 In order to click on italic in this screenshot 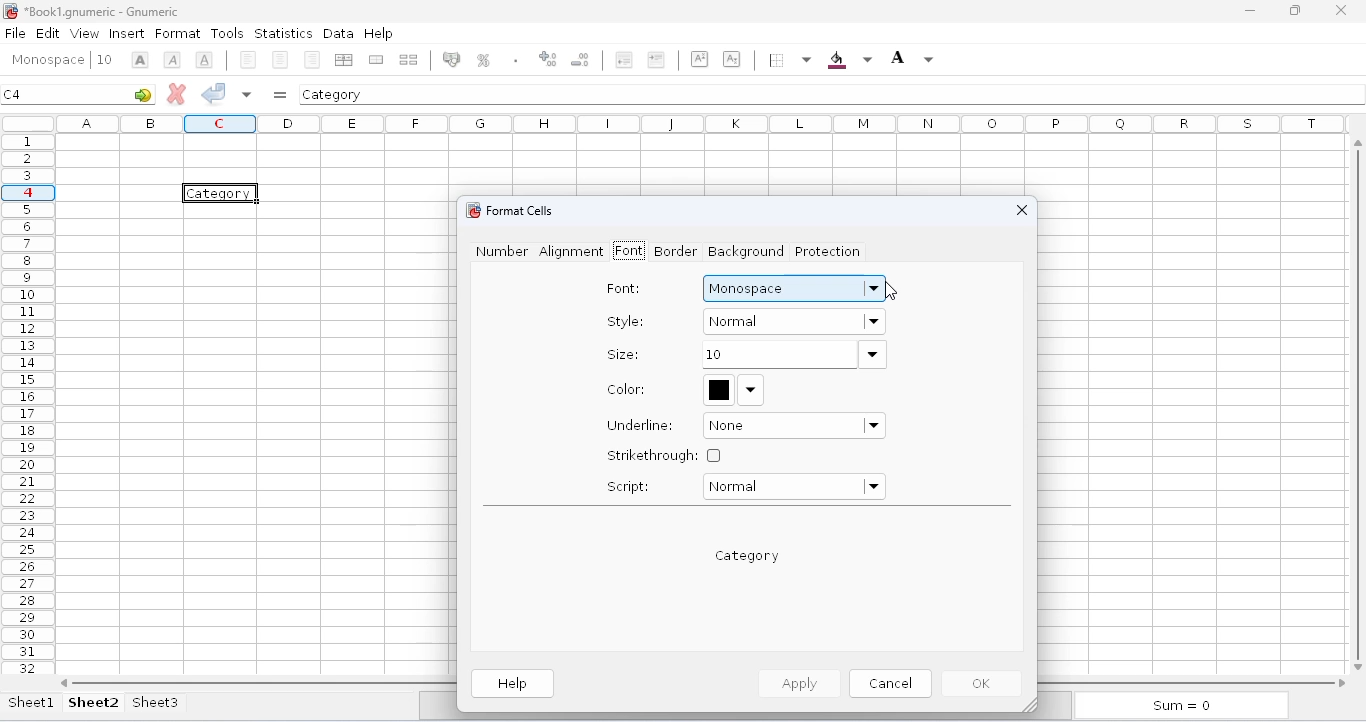, I will do `click(172, 60)`.